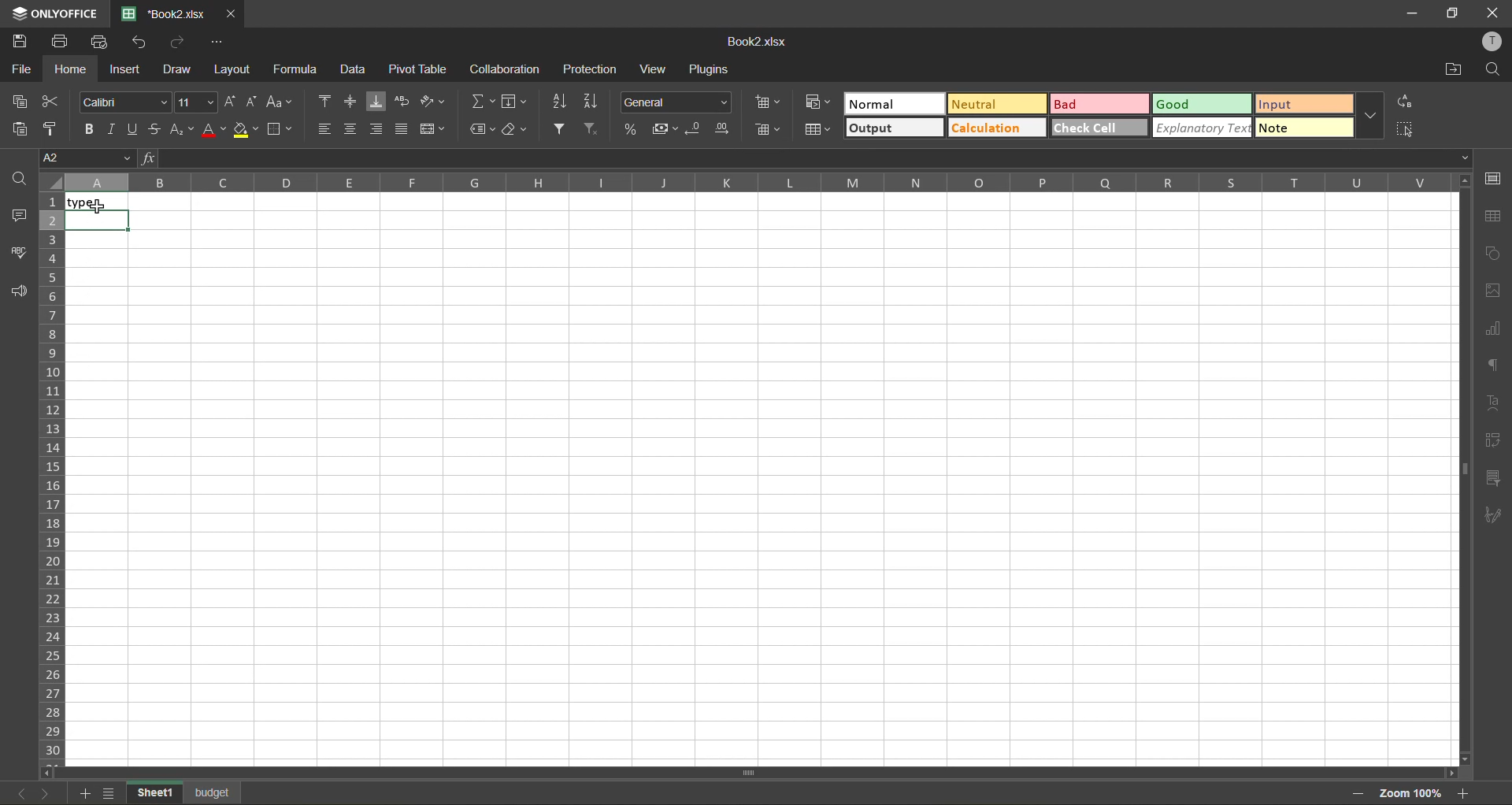 Image resolution: width=1512 pixels, height=805 pixels. Describe the element at coordinates (684, 774) in the screenshot. I see `scroll bar` at that location.